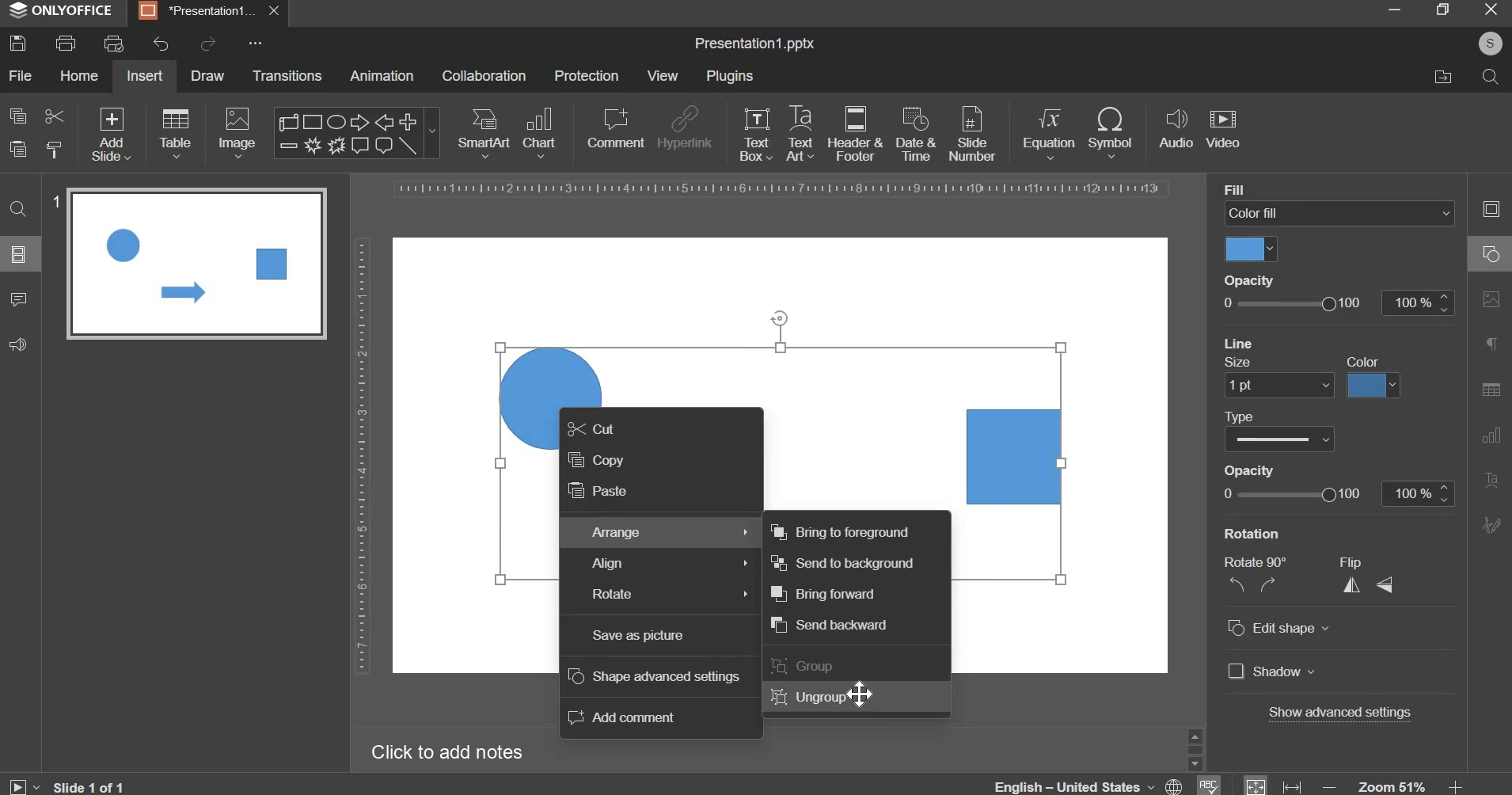 The image size is (1512, 795). What do you see at coordinates (20, 75) in the screenshot?
I see `file` at bounding box center [20, 75].